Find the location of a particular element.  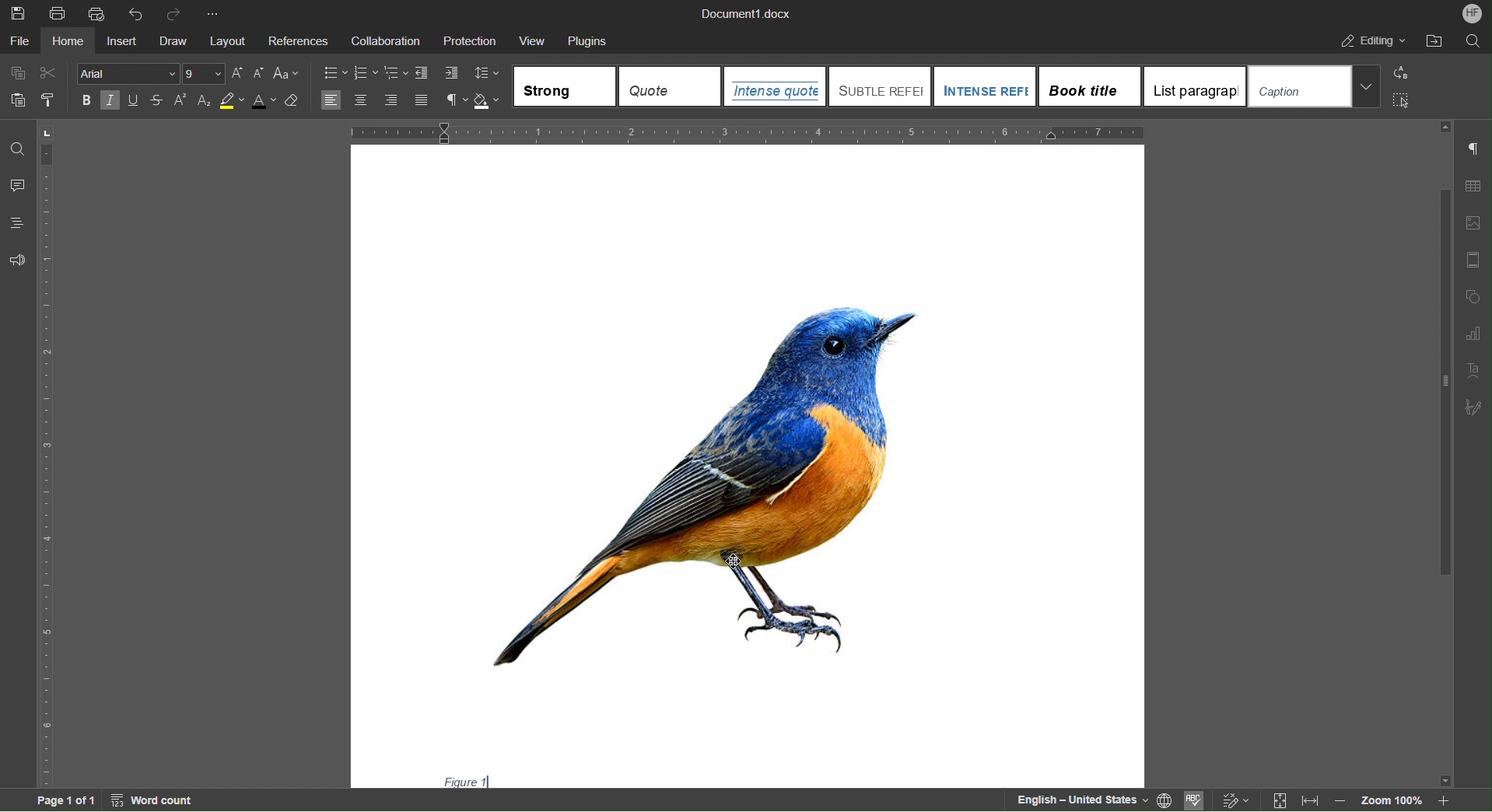

Comments is located at coordinates (18, 186).